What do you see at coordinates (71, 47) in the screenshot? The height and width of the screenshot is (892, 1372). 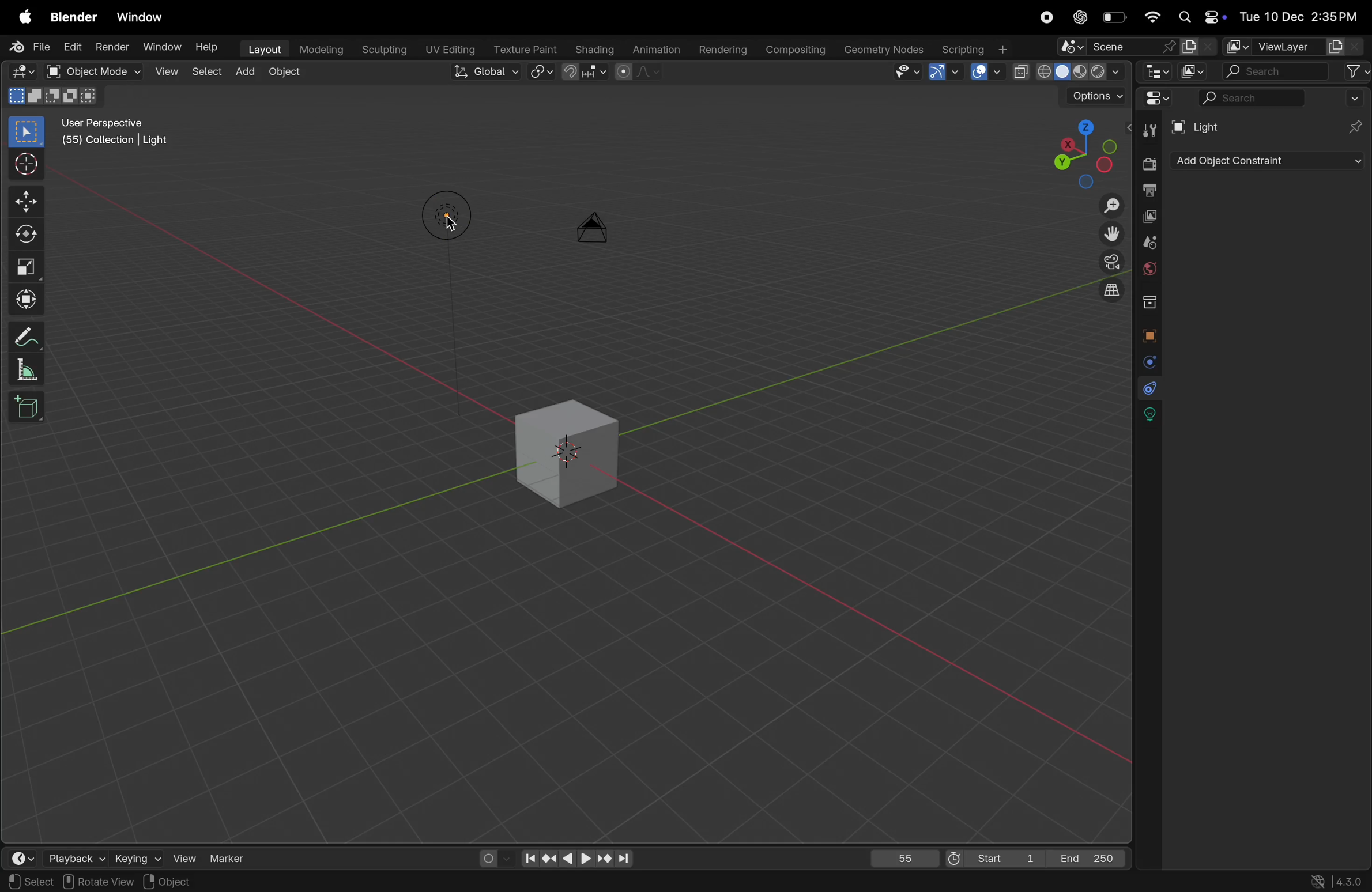 I see `Edit` at bounding box center [71, 47].